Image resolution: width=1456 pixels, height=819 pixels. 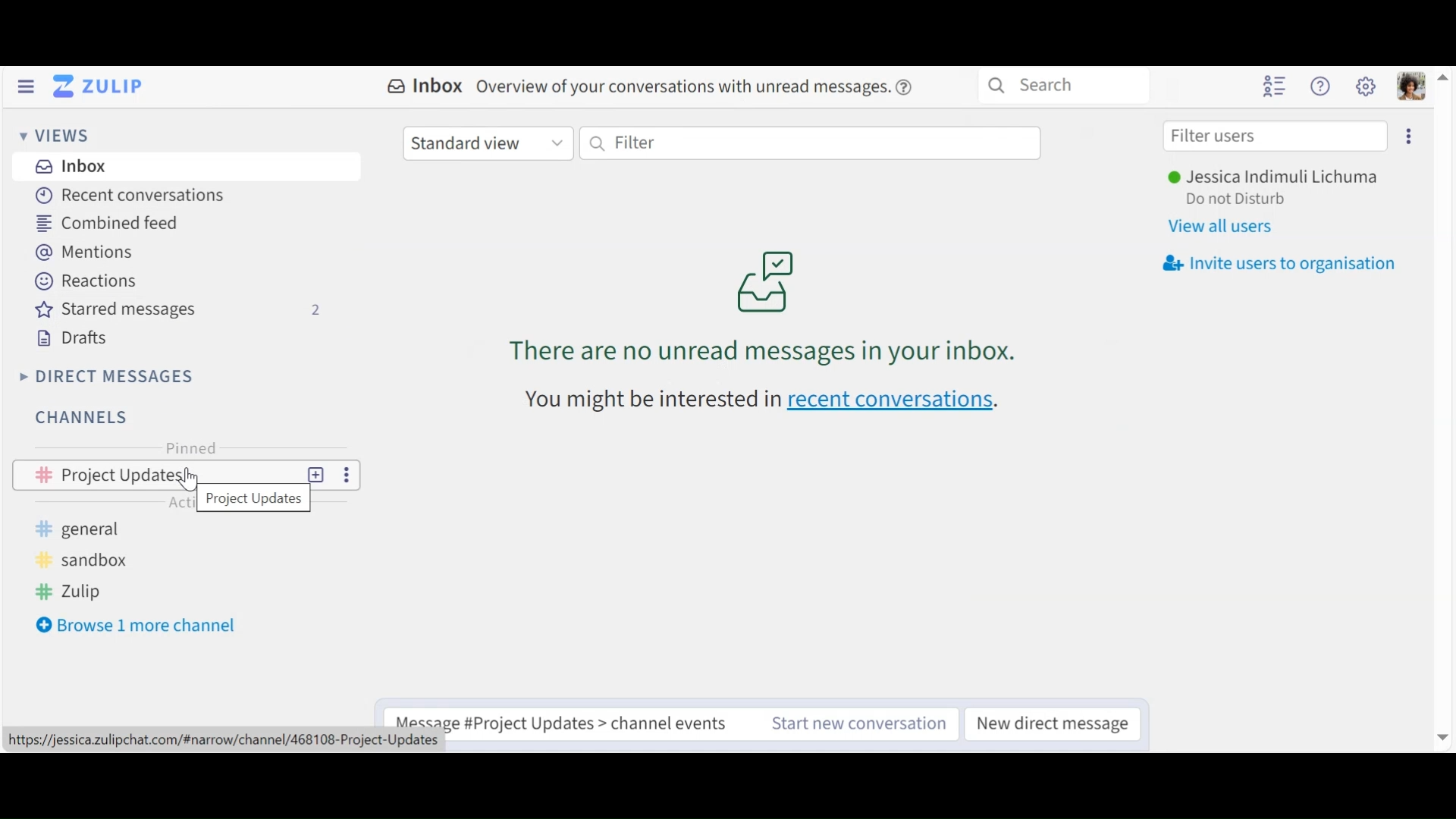 What do you see at coordinates (749, 306) in the screenshot?
I see `There are no unread messages in your inbox` at bounding box center [749, 306].